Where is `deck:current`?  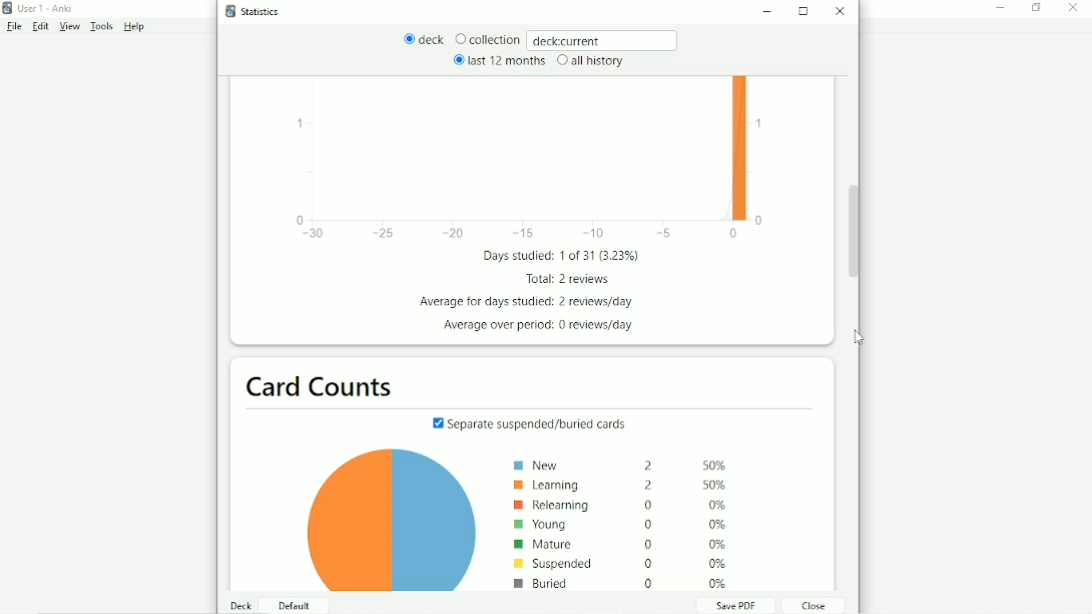
deck:current is located at coordinates (604, 39).